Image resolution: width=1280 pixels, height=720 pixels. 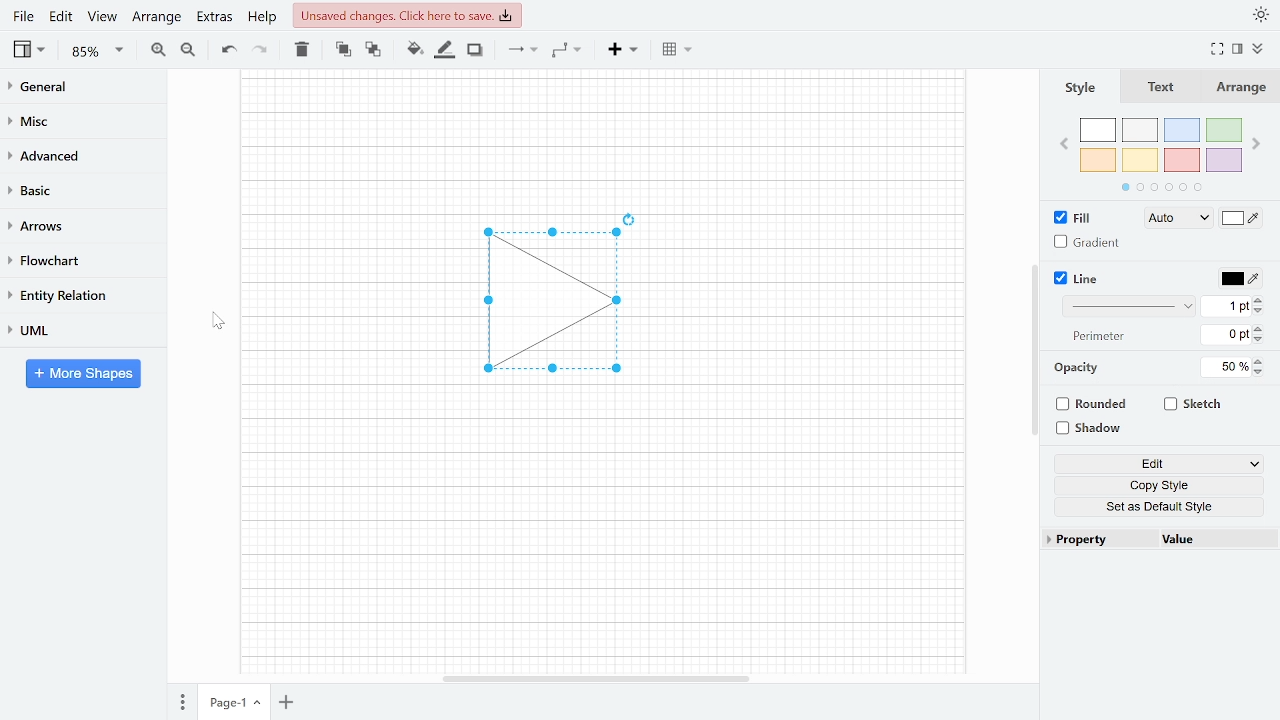 I want to click on ash, so click(x=1142, y=131).